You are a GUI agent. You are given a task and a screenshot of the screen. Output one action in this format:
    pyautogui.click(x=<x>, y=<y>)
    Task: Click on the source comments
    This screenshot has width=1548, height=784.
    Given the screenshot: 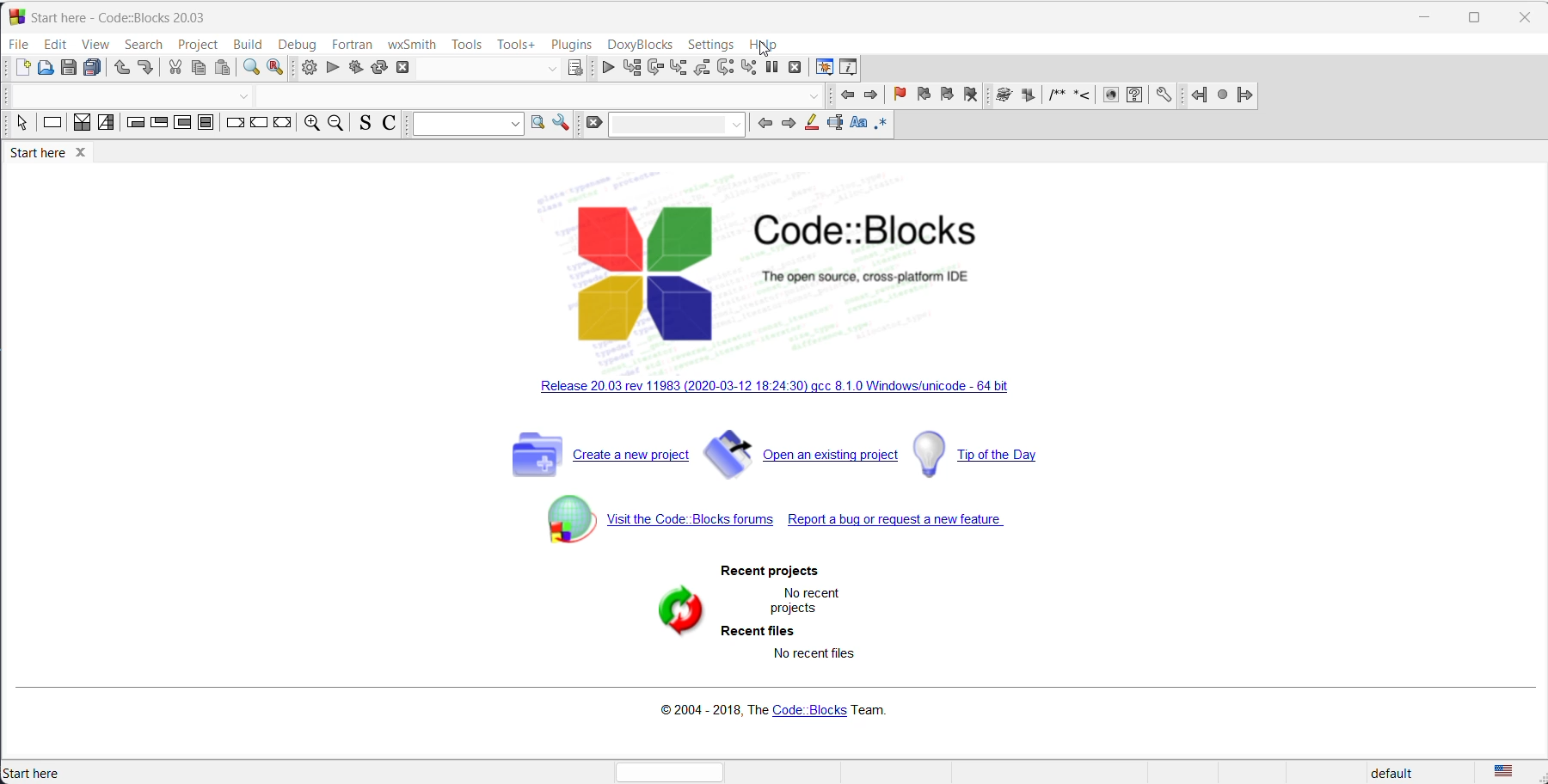 What is the action you would take?
    pyautogui.click(x=366, y=123)
    